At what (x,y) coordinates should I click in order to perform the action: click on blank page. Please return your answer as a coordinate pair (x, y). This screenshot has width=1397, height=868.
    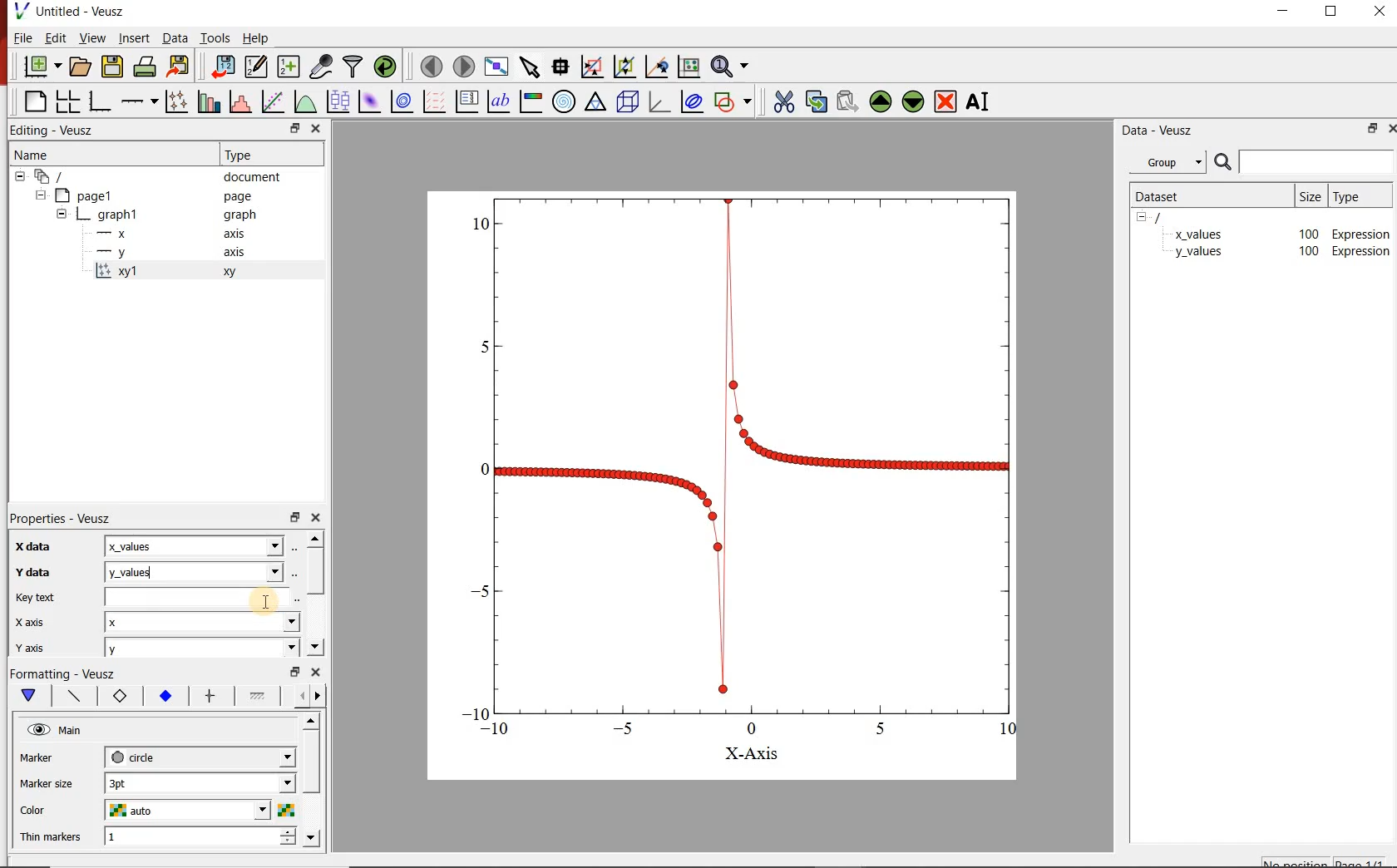
    Looking at the image, I should click on (35, 101).